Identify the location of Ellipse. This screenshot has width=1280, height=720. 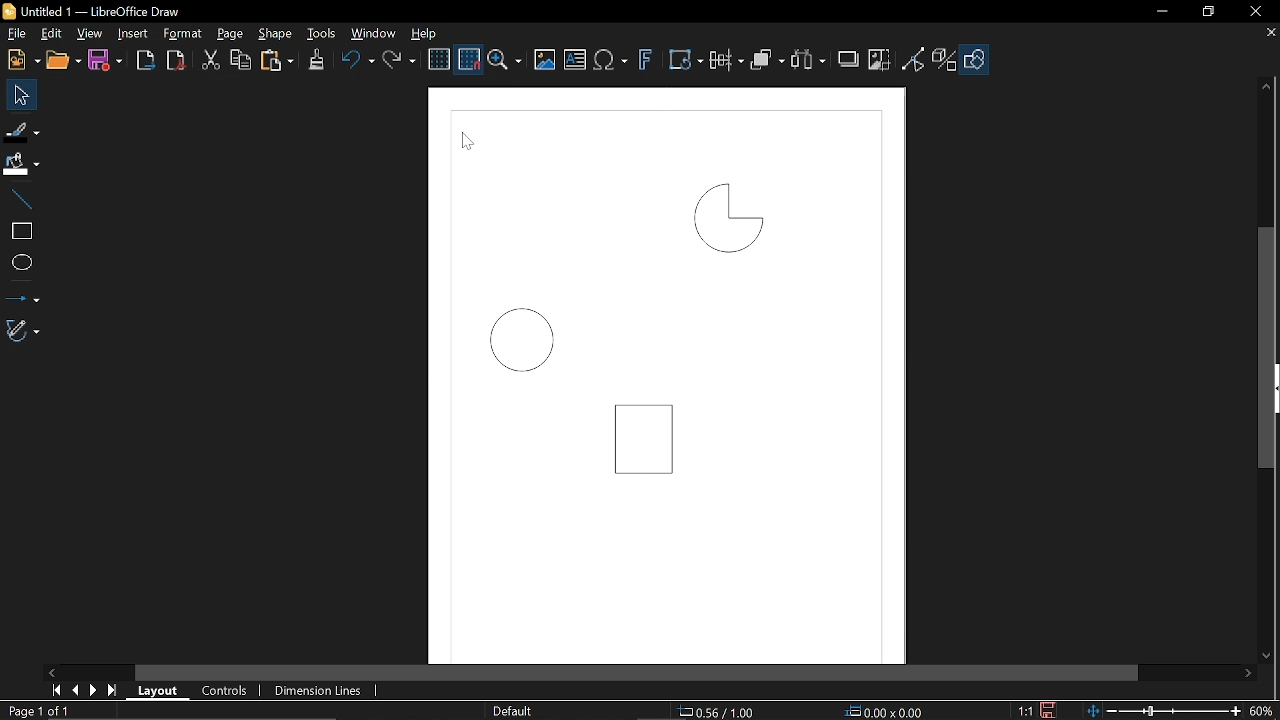
(20, 263).